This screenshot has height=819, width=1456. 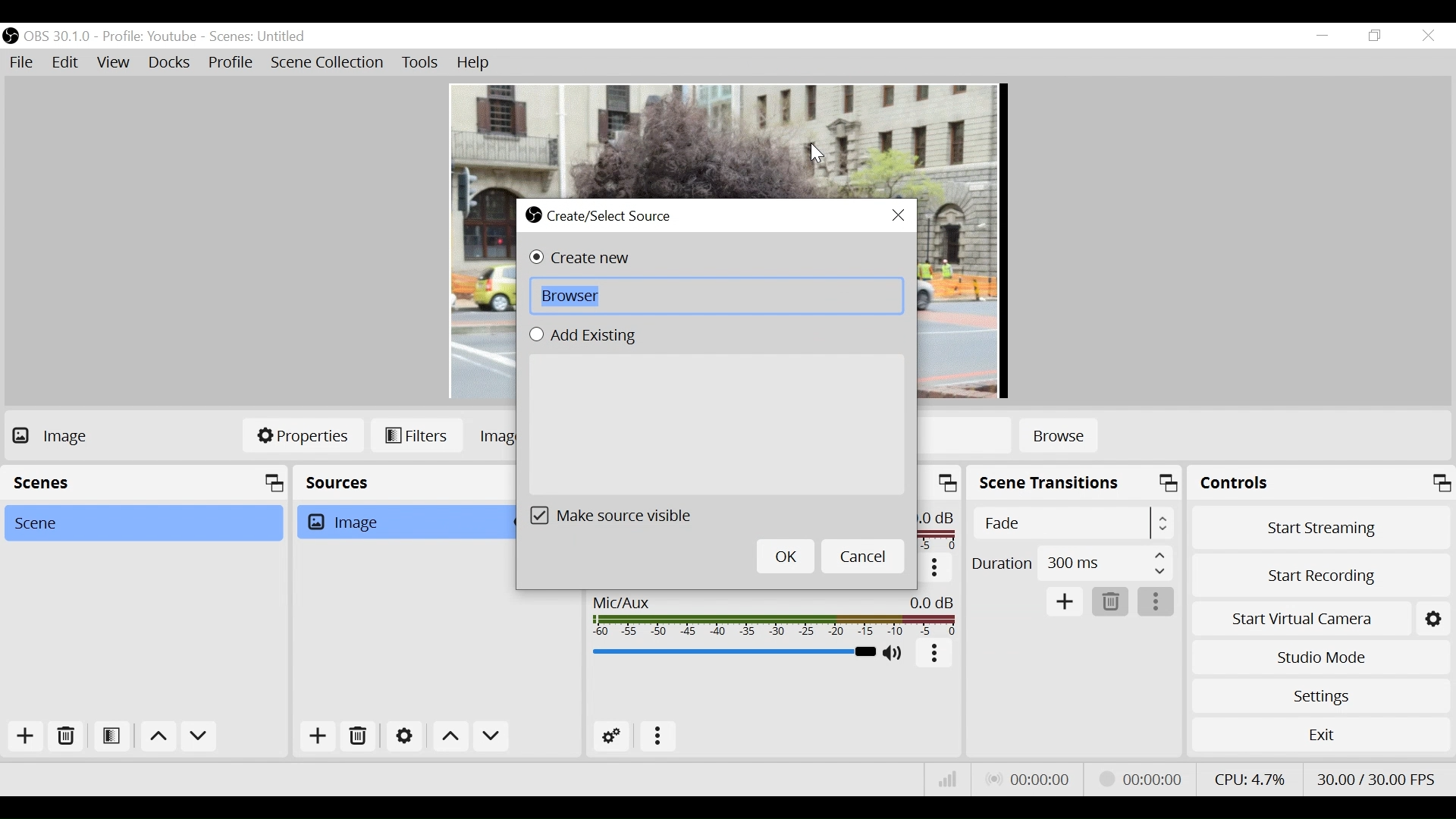 I want to click on Scenes, so click(x=146, y=485).